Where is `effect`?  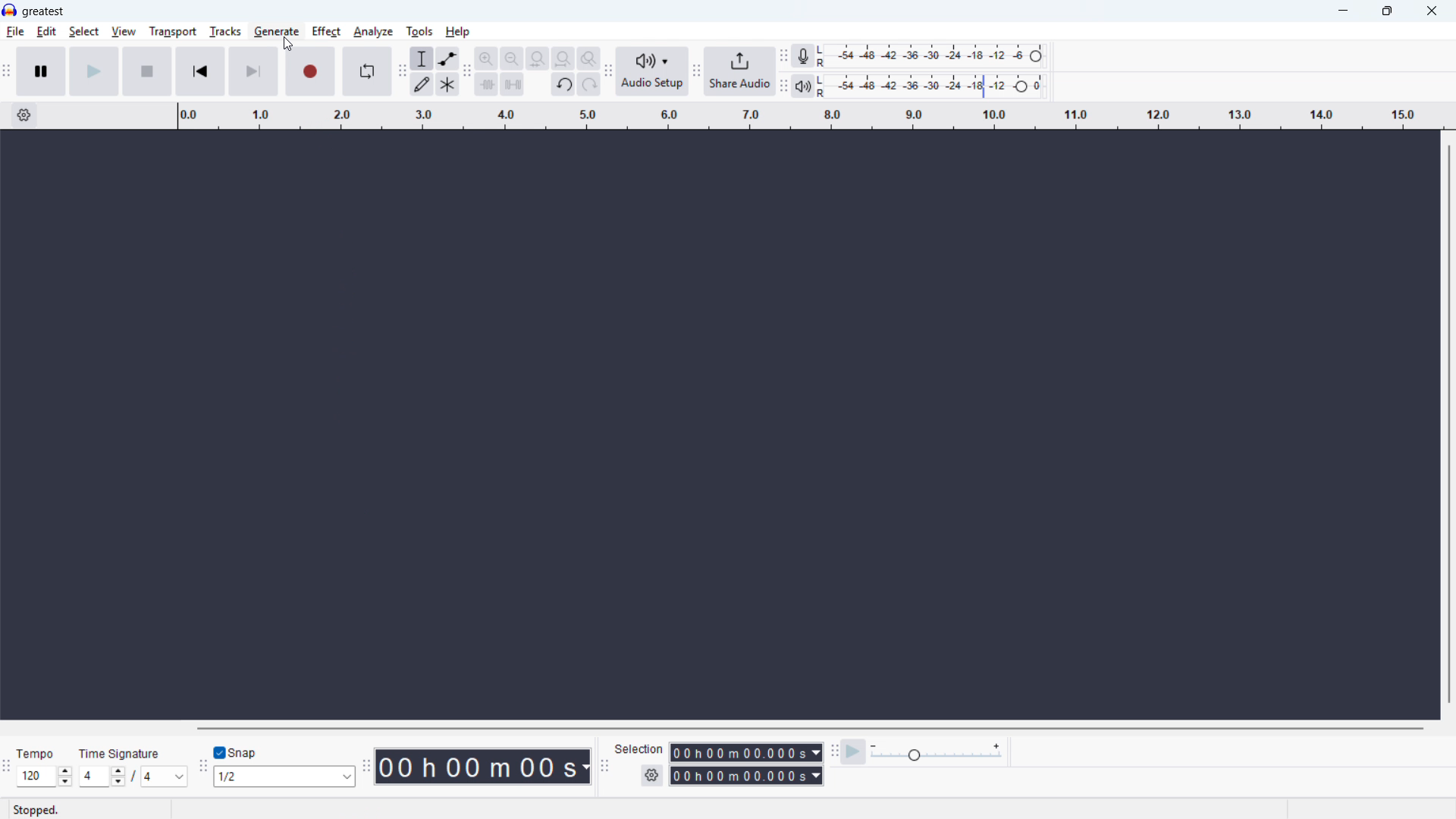 effect is located at coordinates (327, 32).